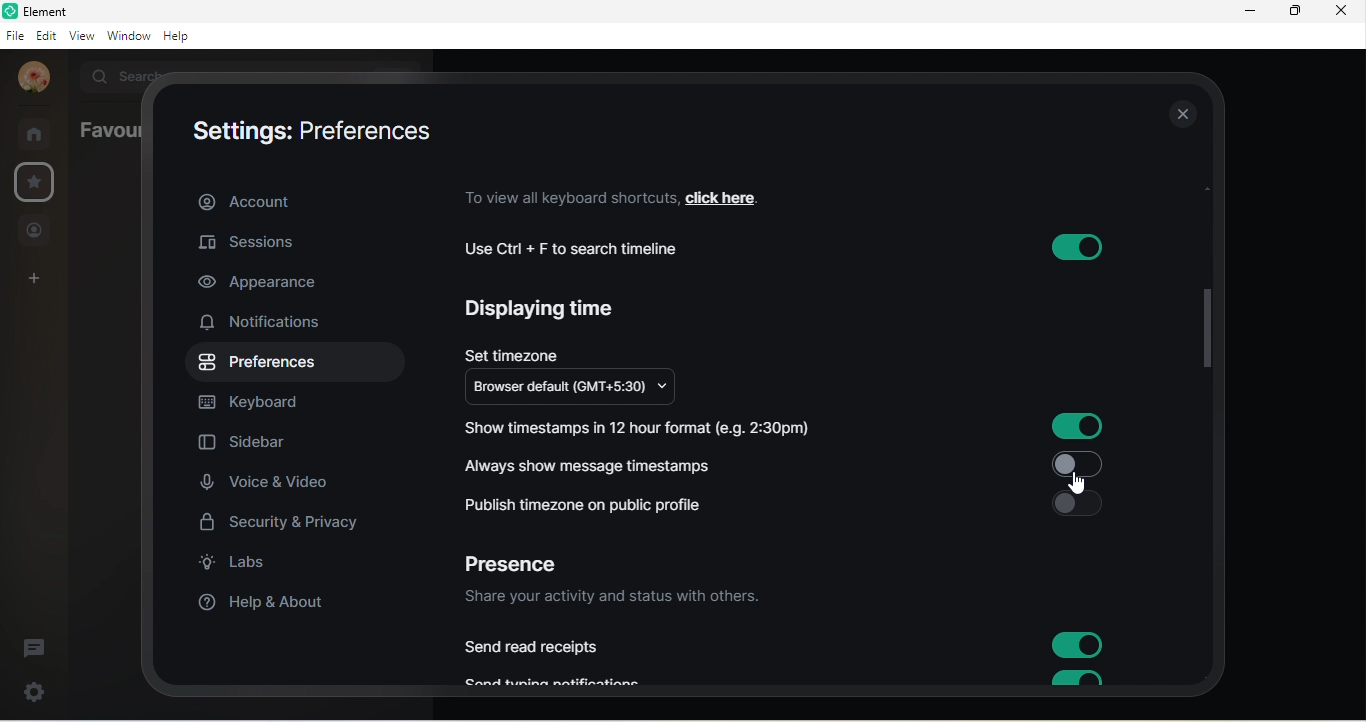 The height and width of the screenshot is (722, 1366). I want to click on click here, so click(735, 196).